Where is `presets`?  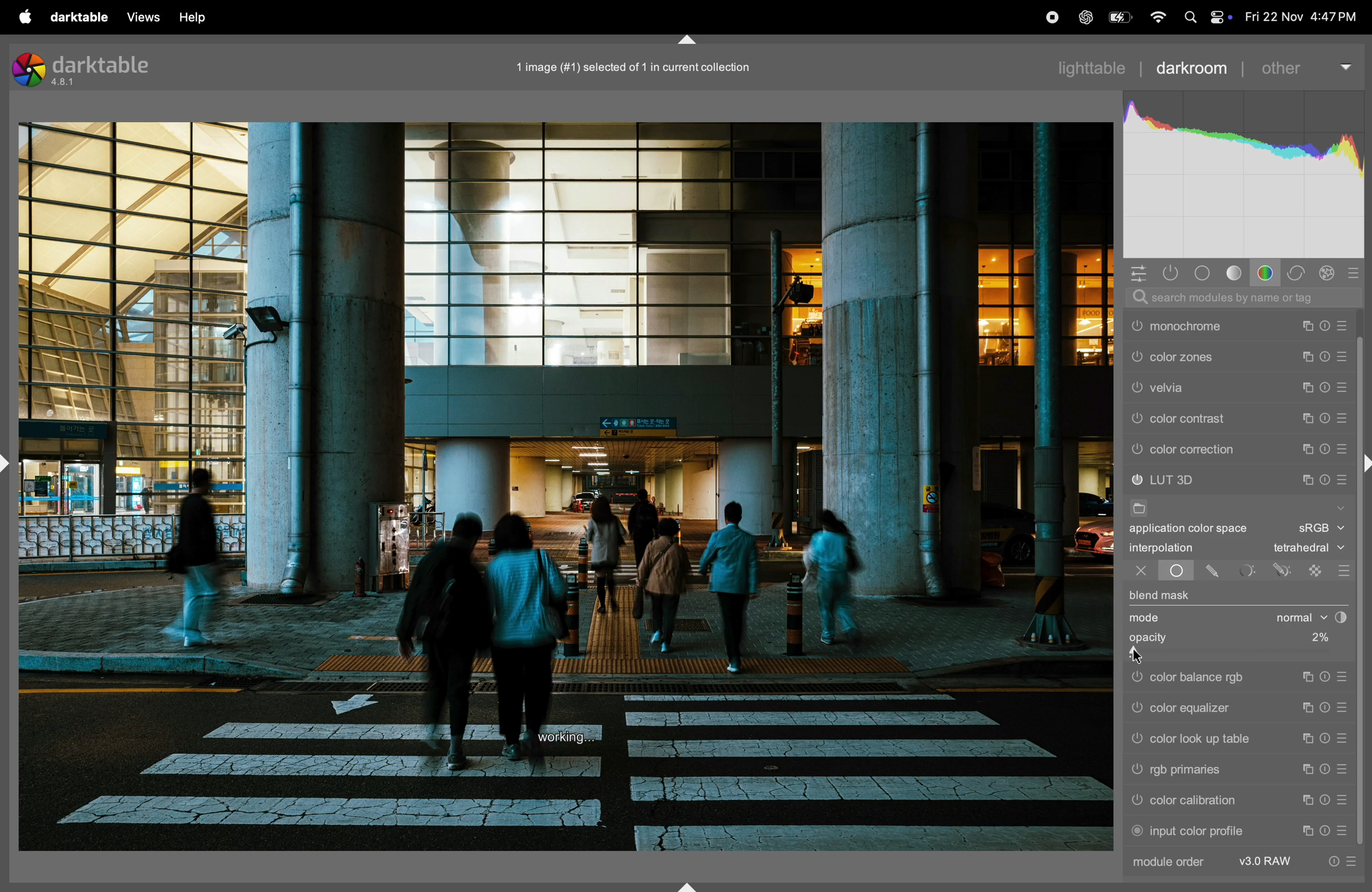 presets is located at coordinates (1345, 448).